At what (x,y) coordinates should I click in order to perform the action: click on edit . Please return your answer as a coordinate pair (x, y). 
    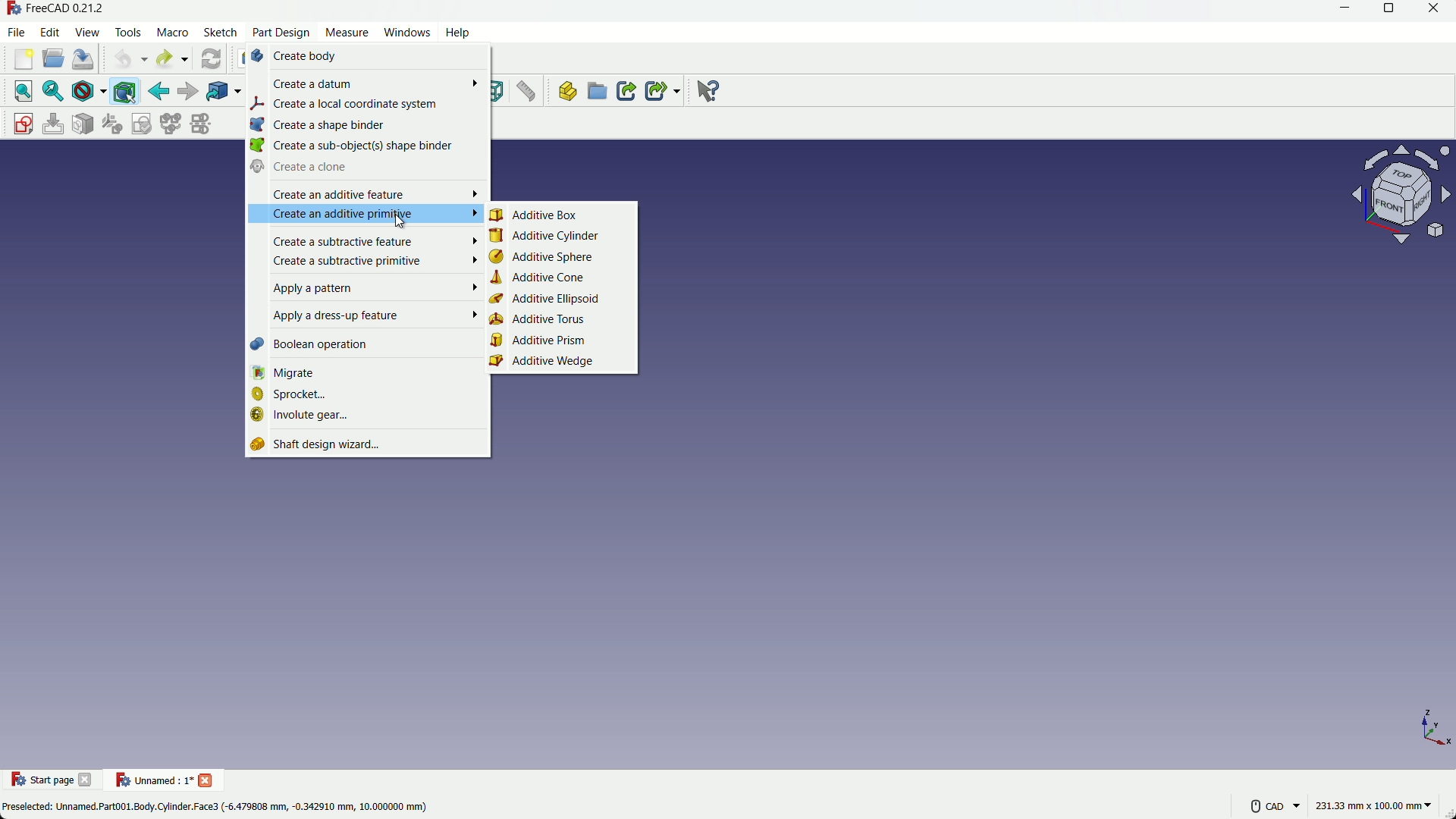
    Looking at the image, I should click on (50, 33).